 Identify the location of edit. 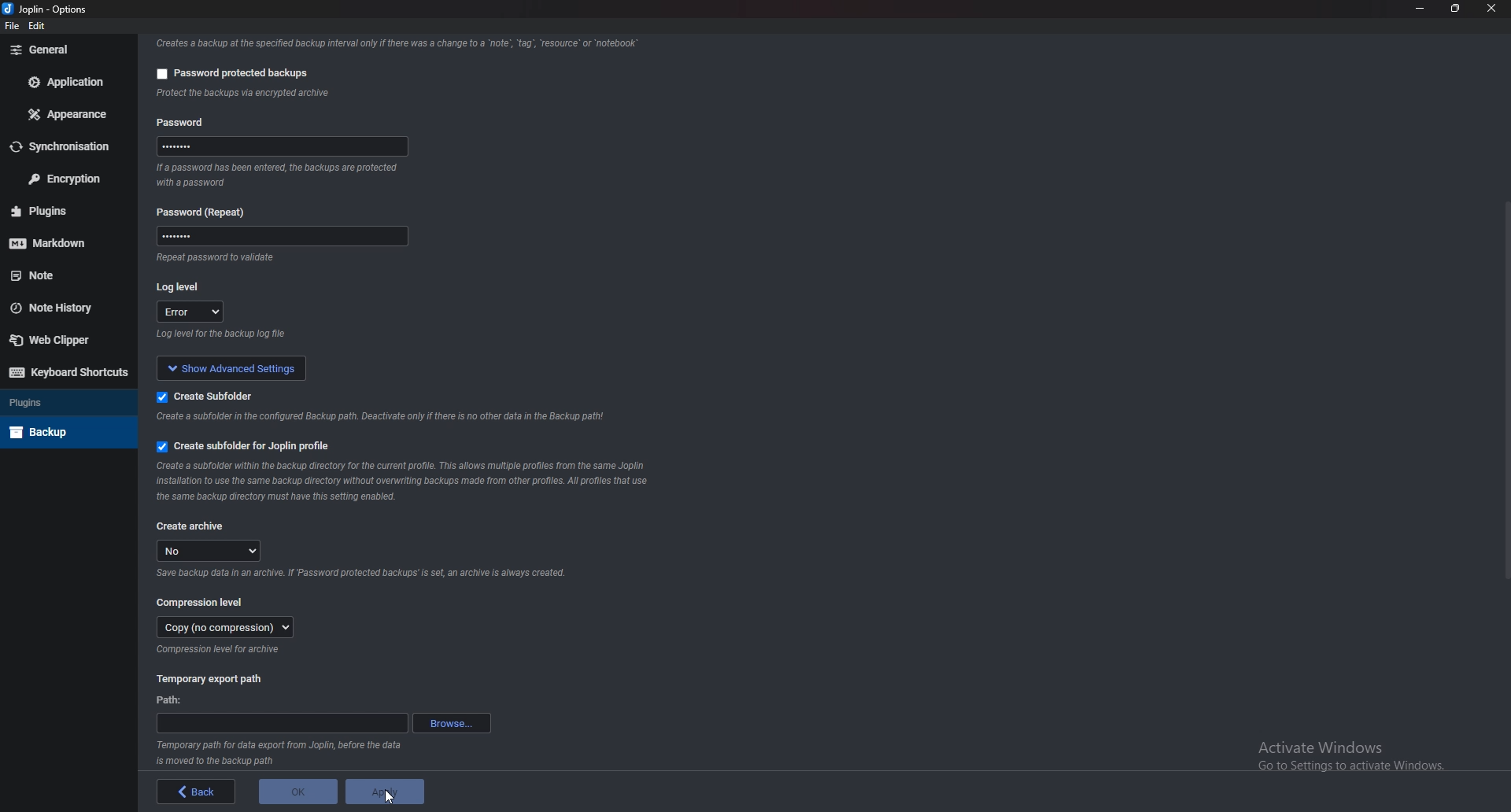
(38, 27).